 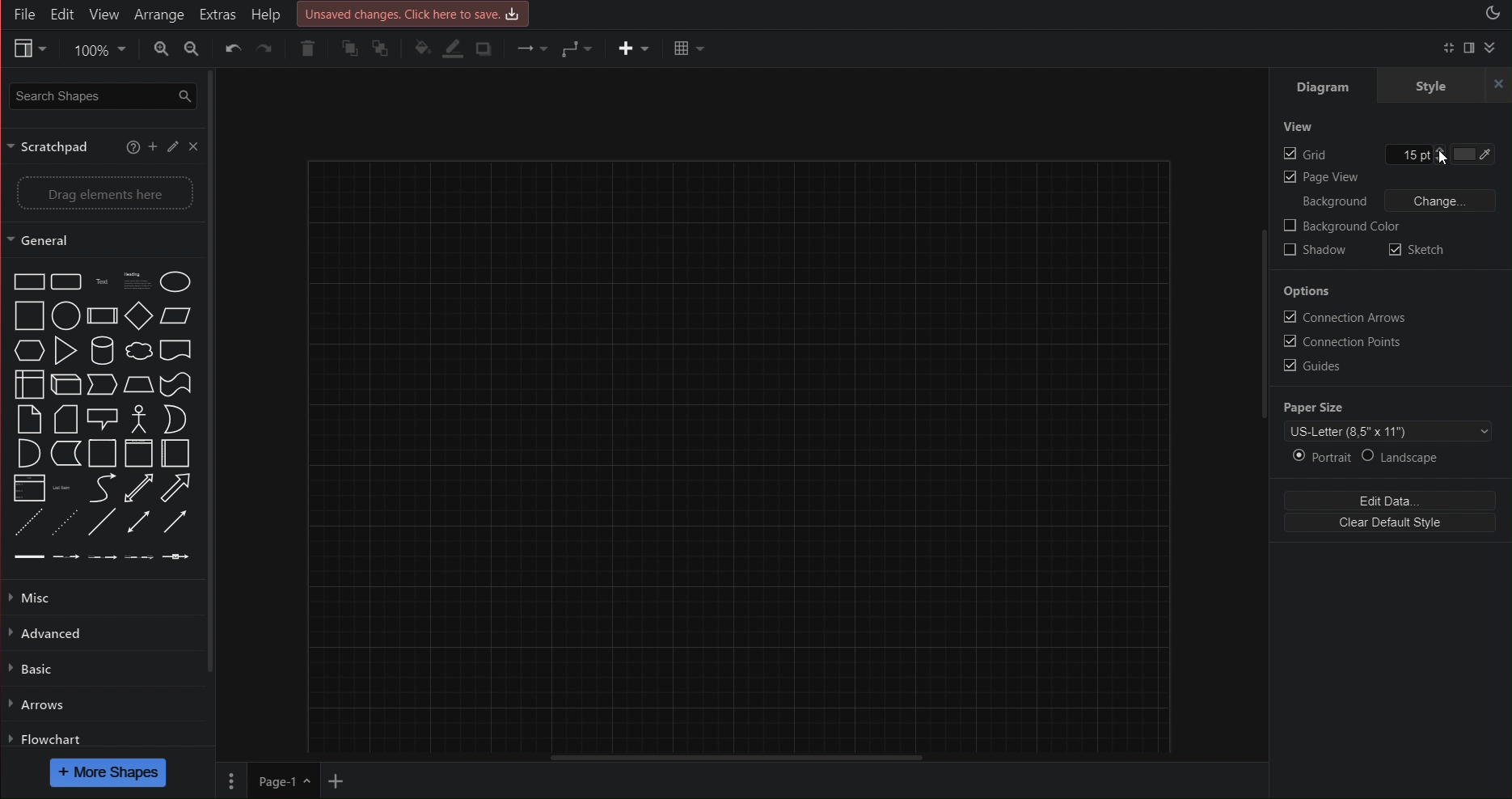 I want to click on cursor, so click(x=1447, y=159).